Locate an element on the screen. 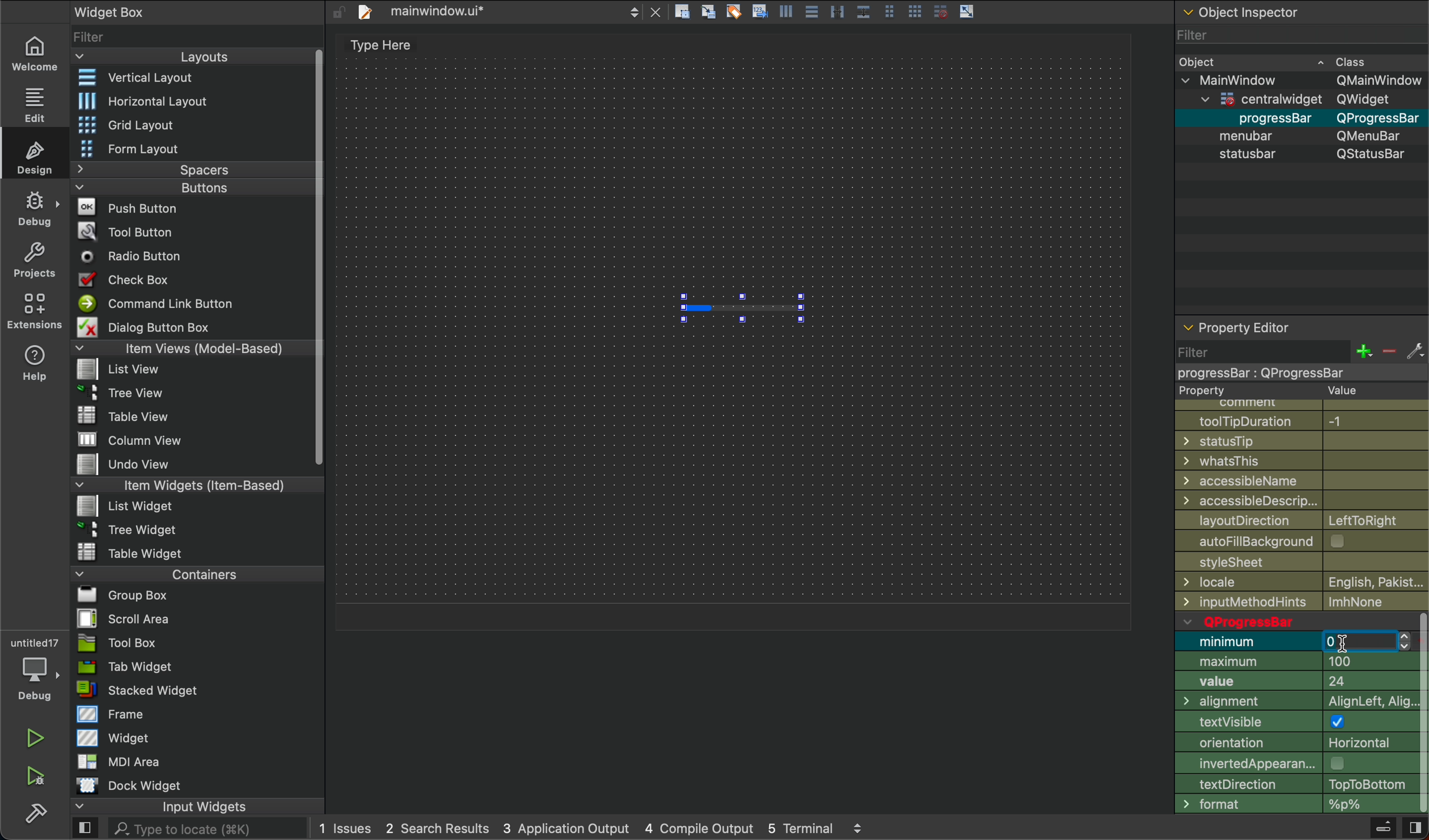  File is located at coordinates (126, 505).